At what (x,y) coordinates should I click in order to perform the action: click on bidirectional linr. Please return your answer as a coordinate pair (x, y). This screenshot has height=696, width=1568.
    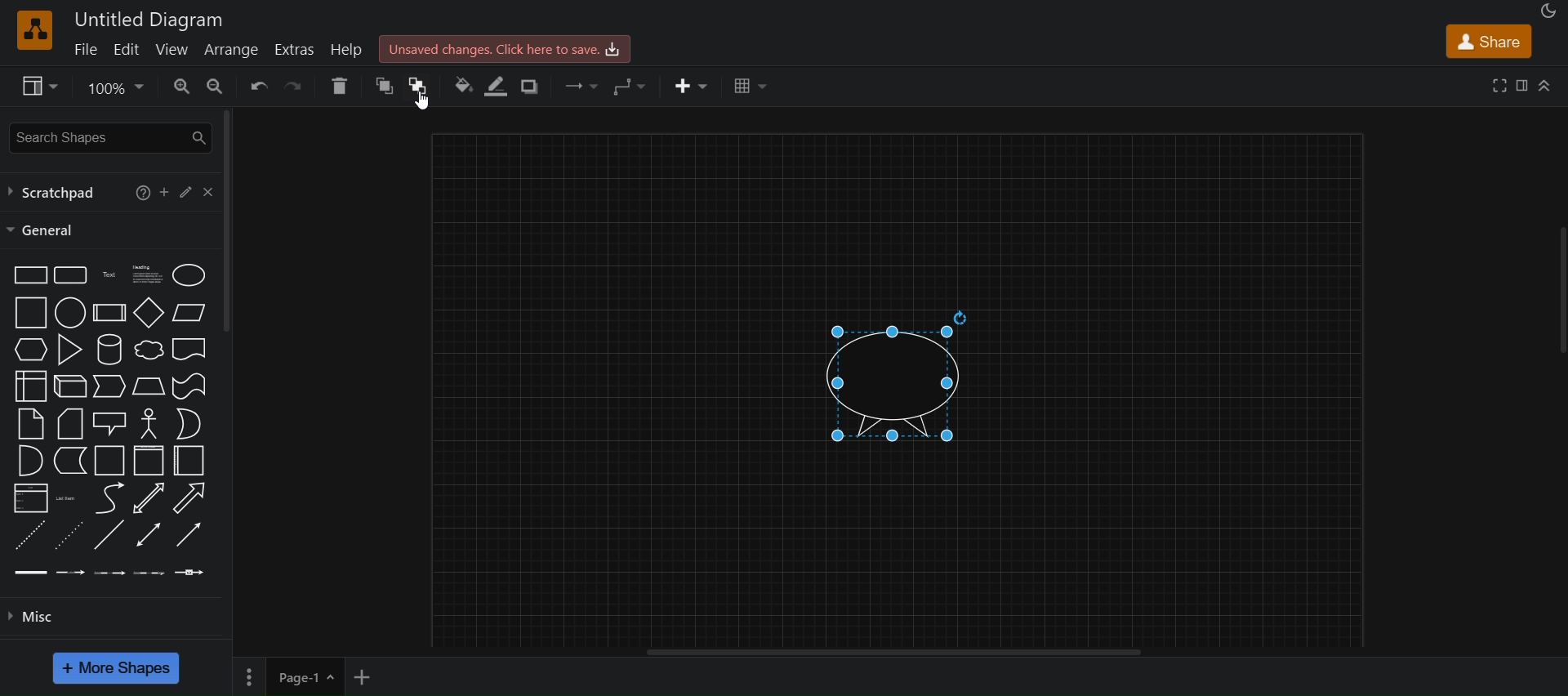
    Looking at the image, I should click on (148, 534).